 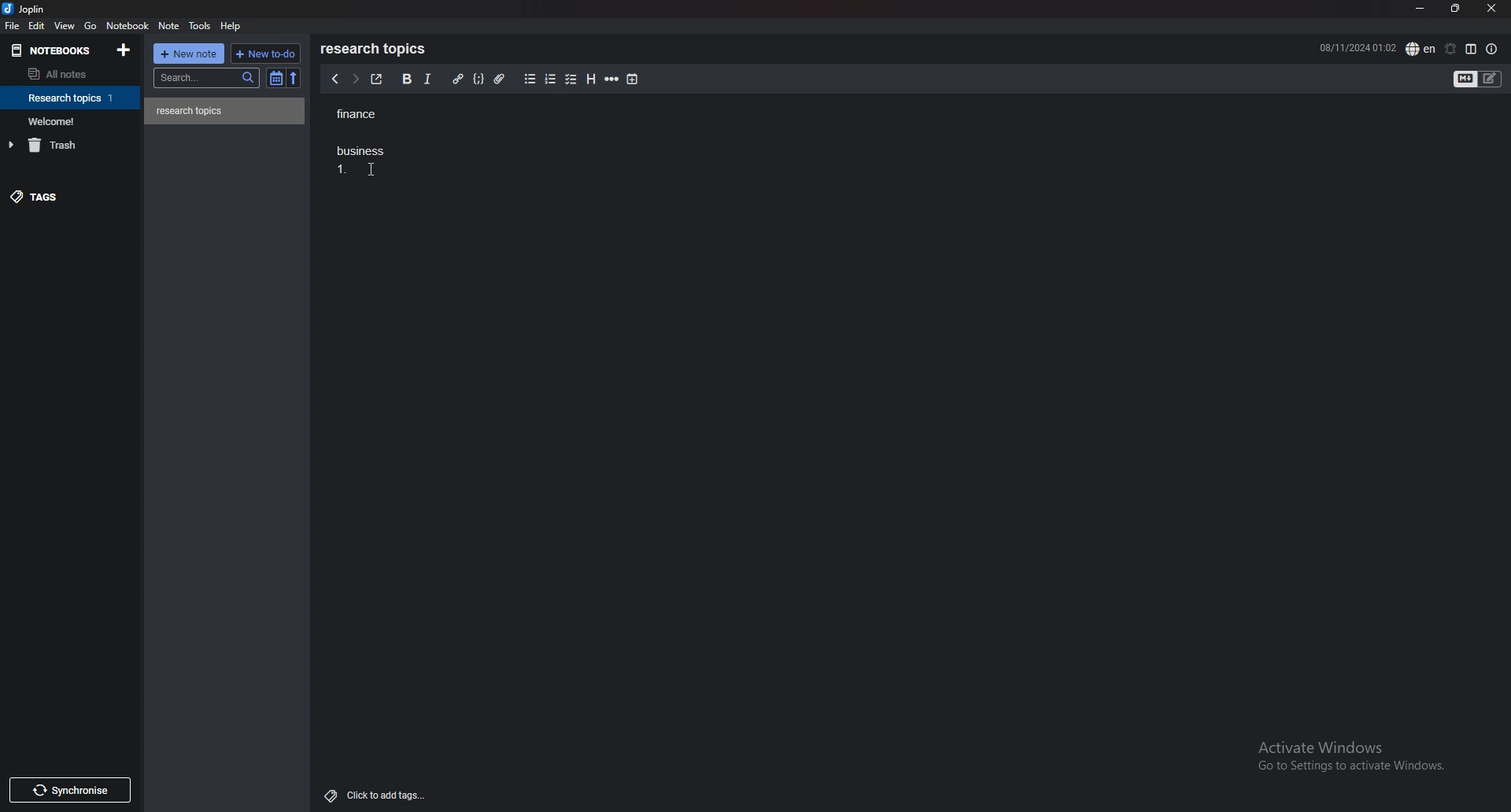 I want to click on add notebook, so click(x=123, y=50).